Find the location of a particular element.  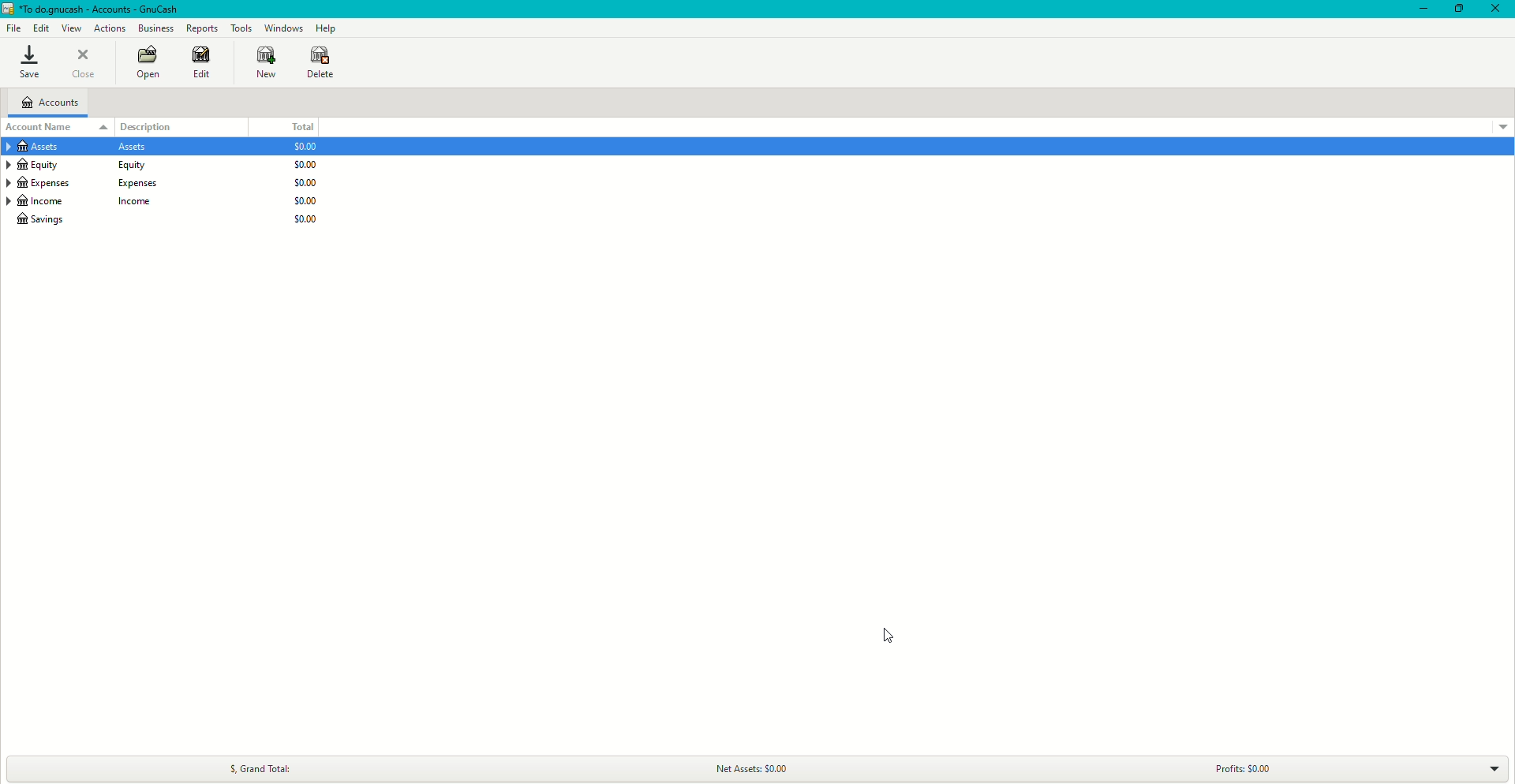

Close is located at coordinates (87, 64).